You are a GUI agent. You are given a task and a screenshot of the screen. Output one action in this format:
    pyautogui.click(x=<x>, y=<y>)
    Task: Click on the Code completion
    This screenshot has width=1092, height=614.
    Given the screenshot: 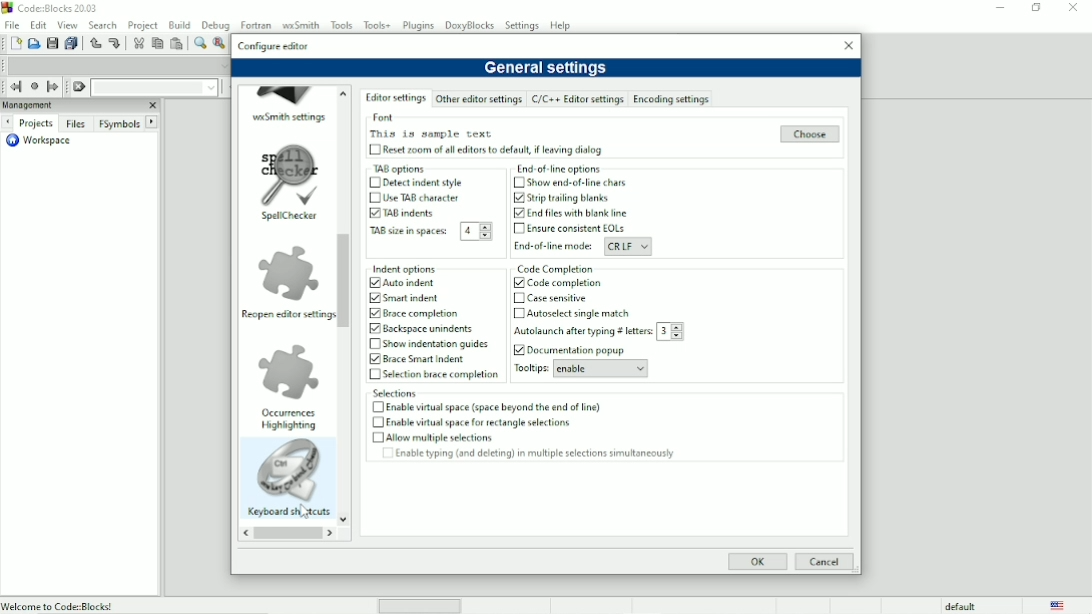 What is the action you would take?
    pyautogui.click(x=565, y=282)
    